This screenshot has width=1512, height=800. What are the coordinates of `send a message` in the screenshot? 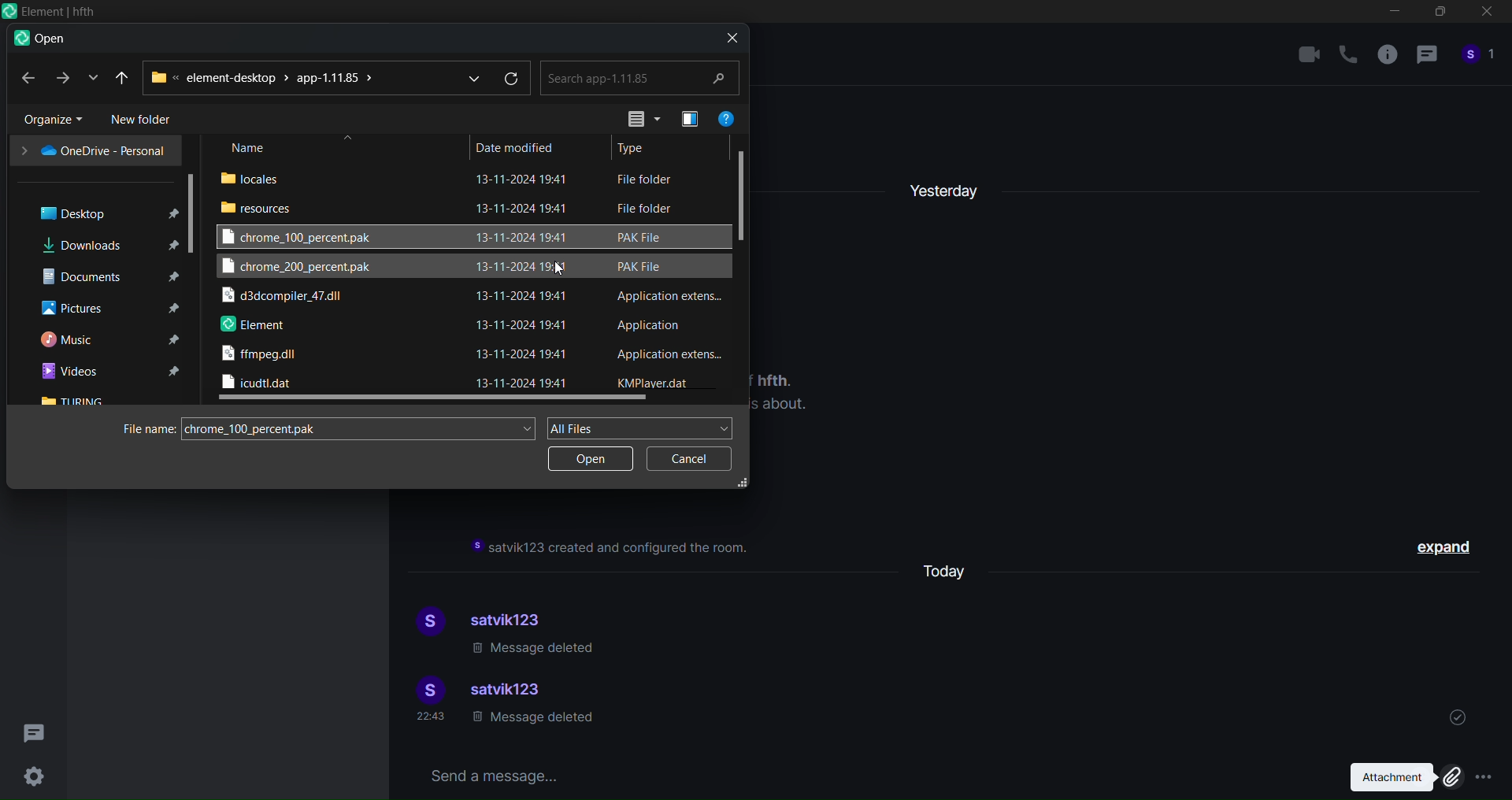 It's located at (862, 774).